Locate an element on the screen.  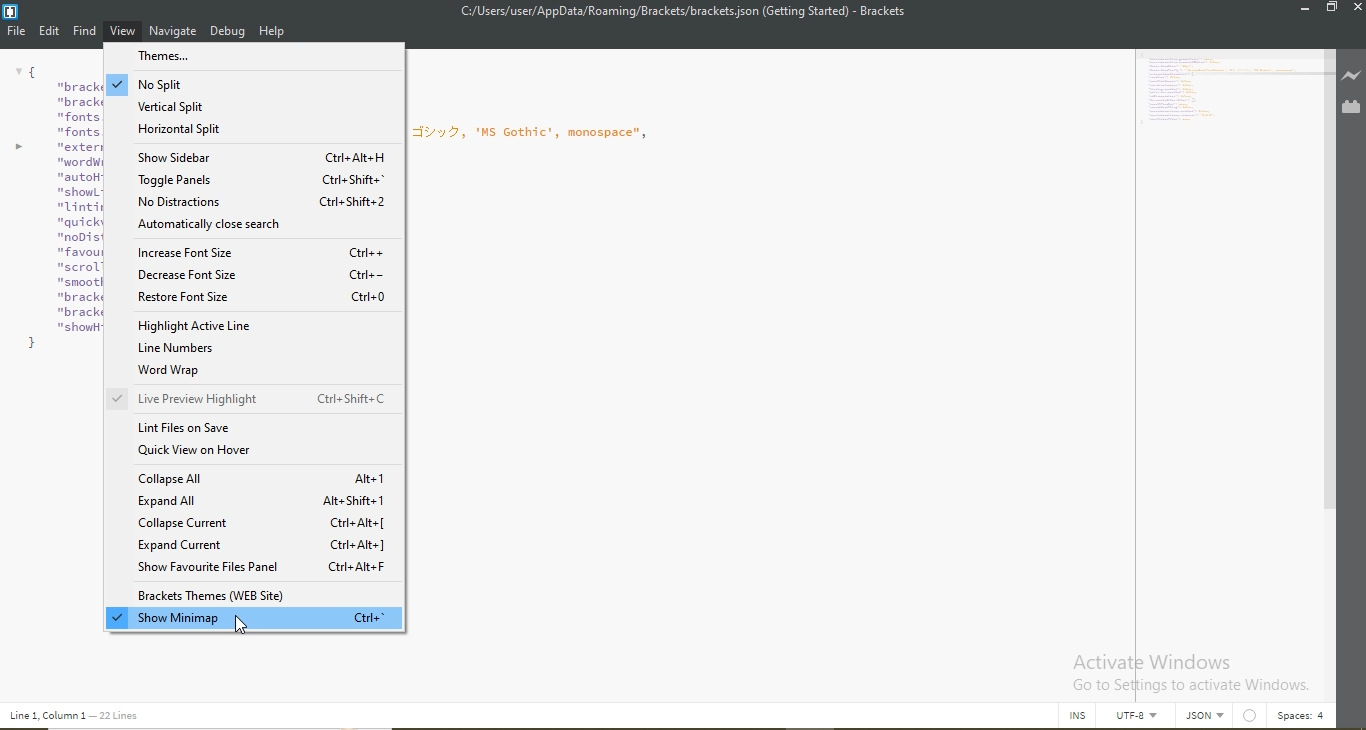
quick view on Hover is located at coordinates (262, 455).